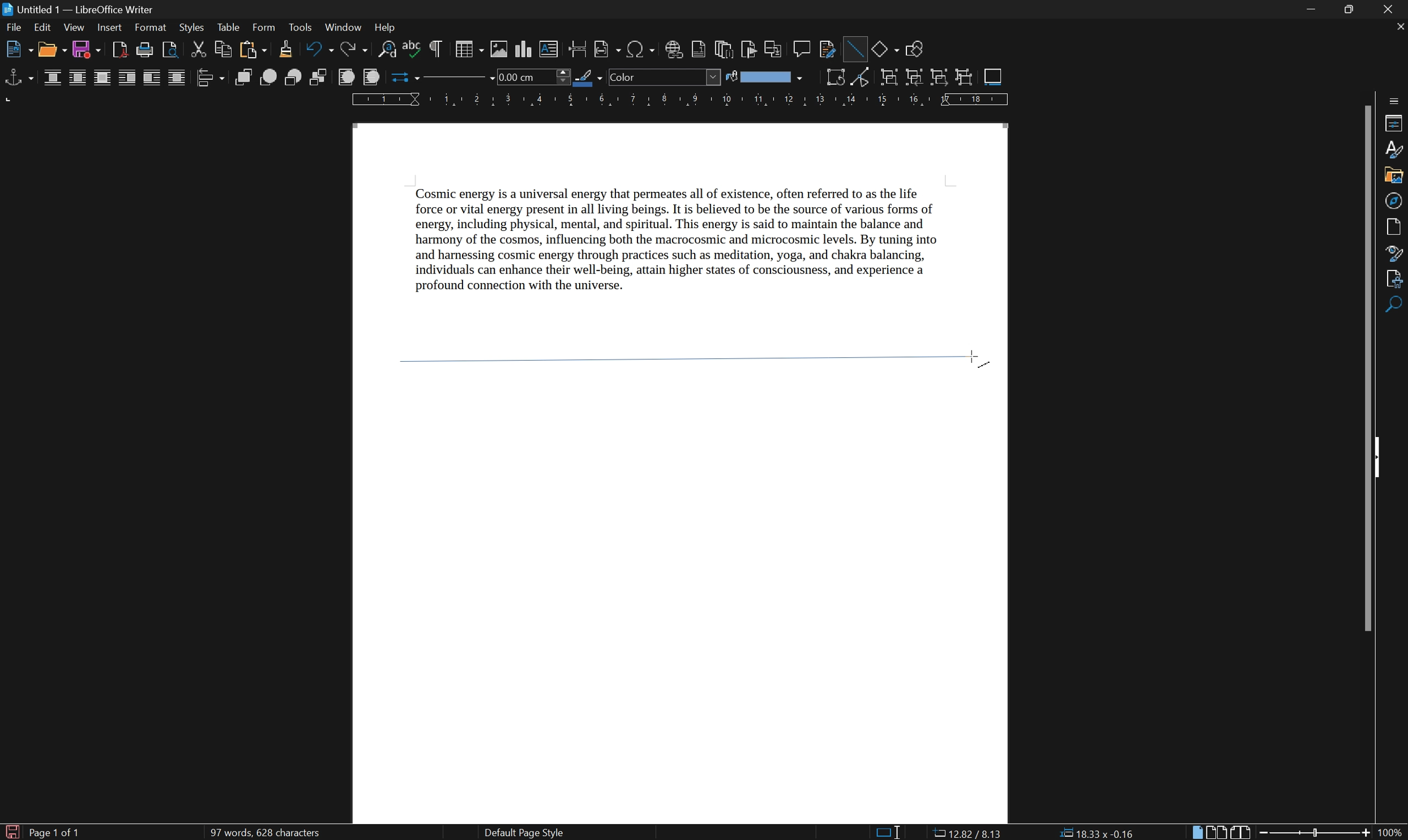  I want to click on sidebar settings, so click(1395, 99).